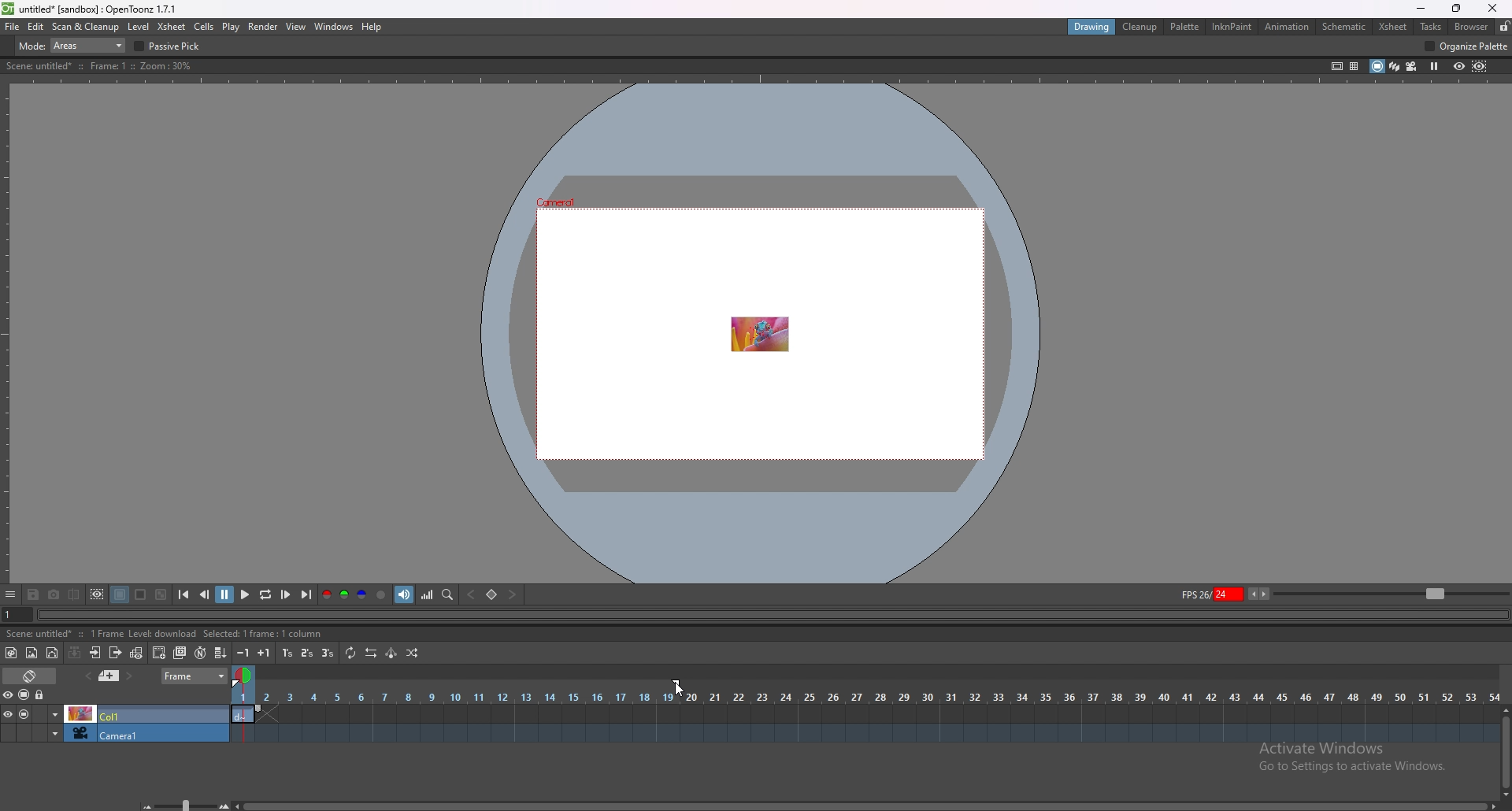 This screenshot has width=1512, height=811. What do you see at coordinates (30, 676) in the screenshot?
I see `toggle timeline` at bounding box center [30, 676].